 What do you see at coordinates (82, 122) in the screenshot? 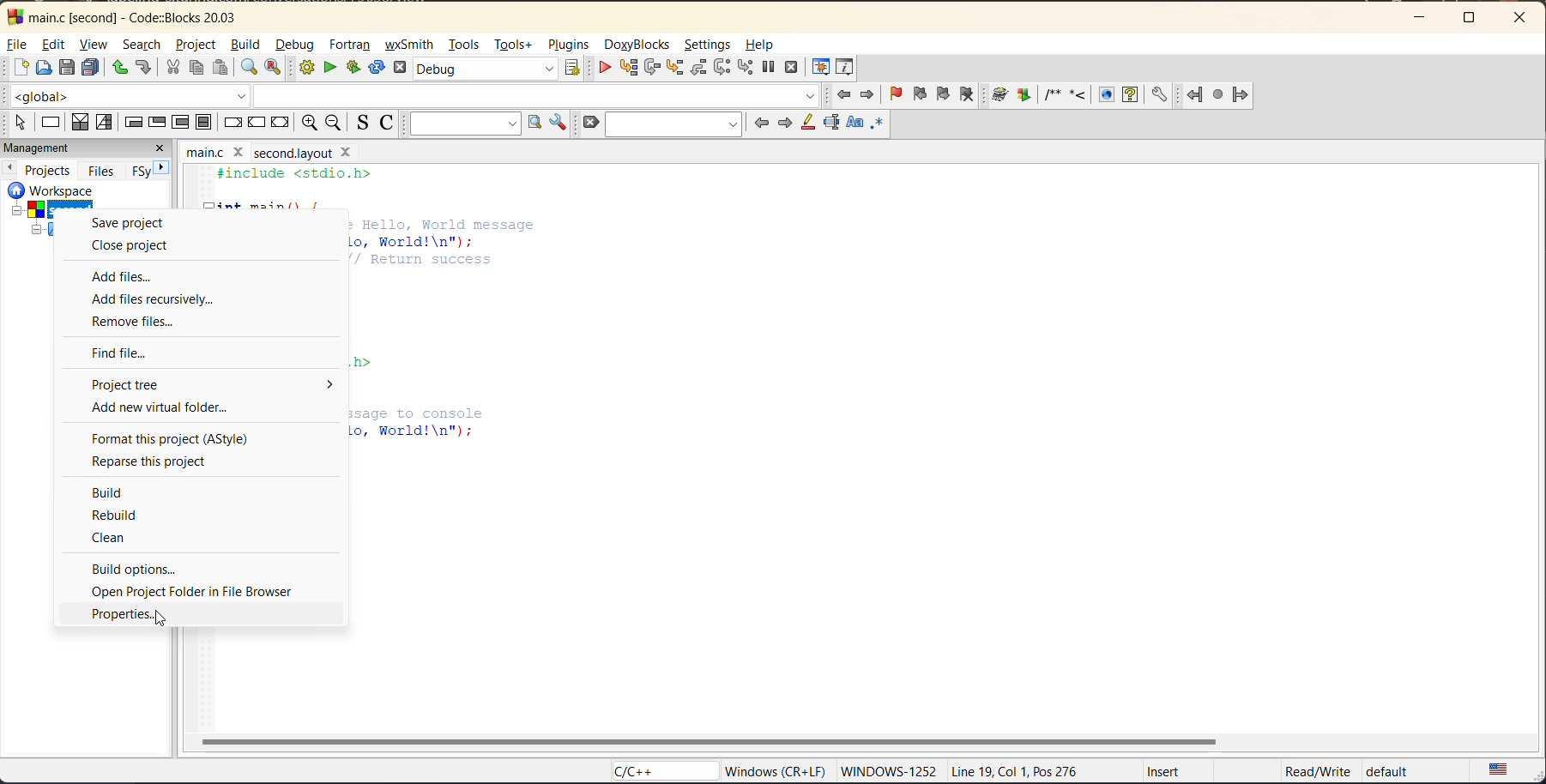
I see `decision` at bounding box center [82, 122].